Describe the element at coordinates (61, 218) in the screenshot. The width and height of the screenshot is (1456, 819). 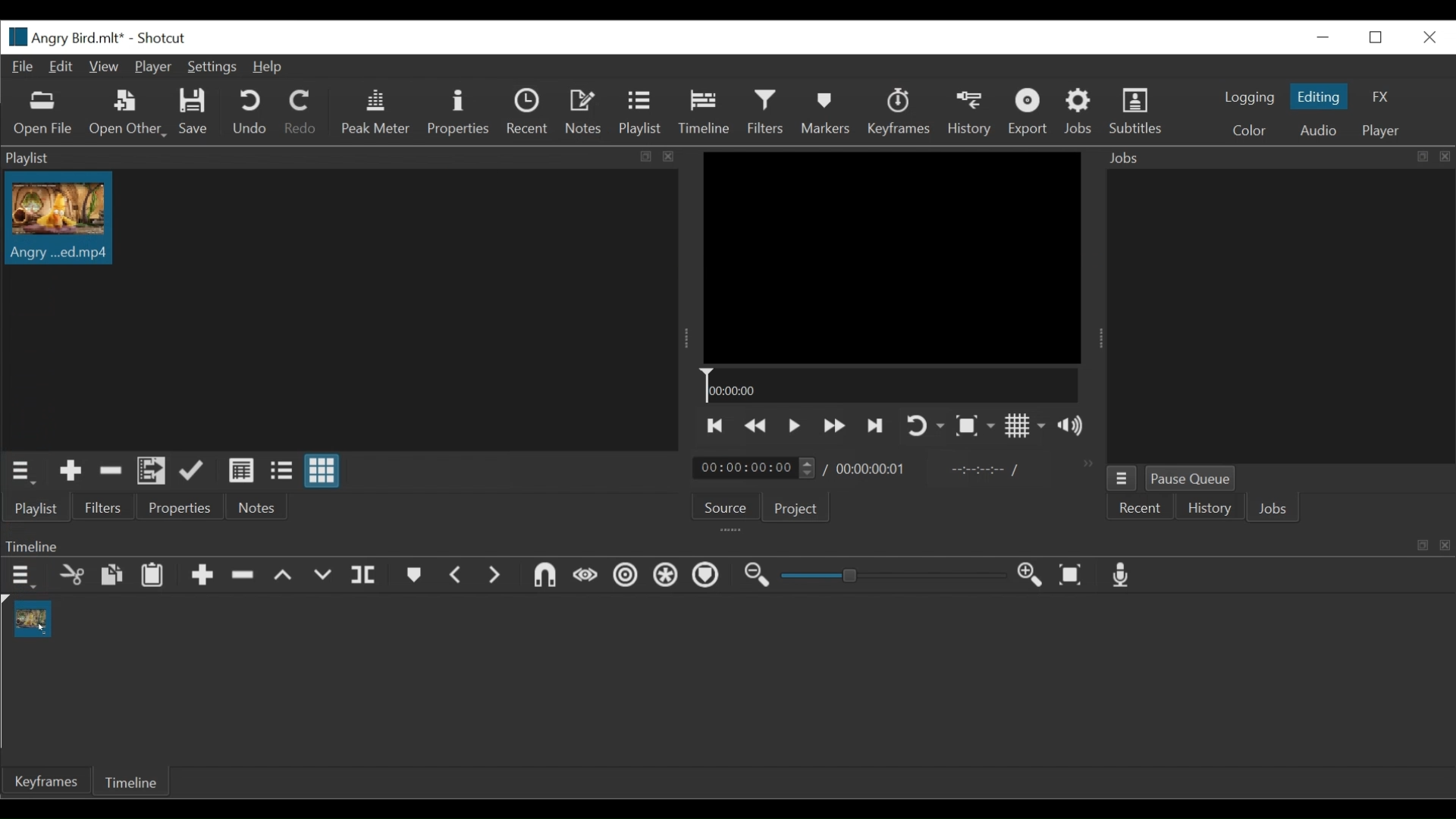
I see `Clip thumbnail` at that location.